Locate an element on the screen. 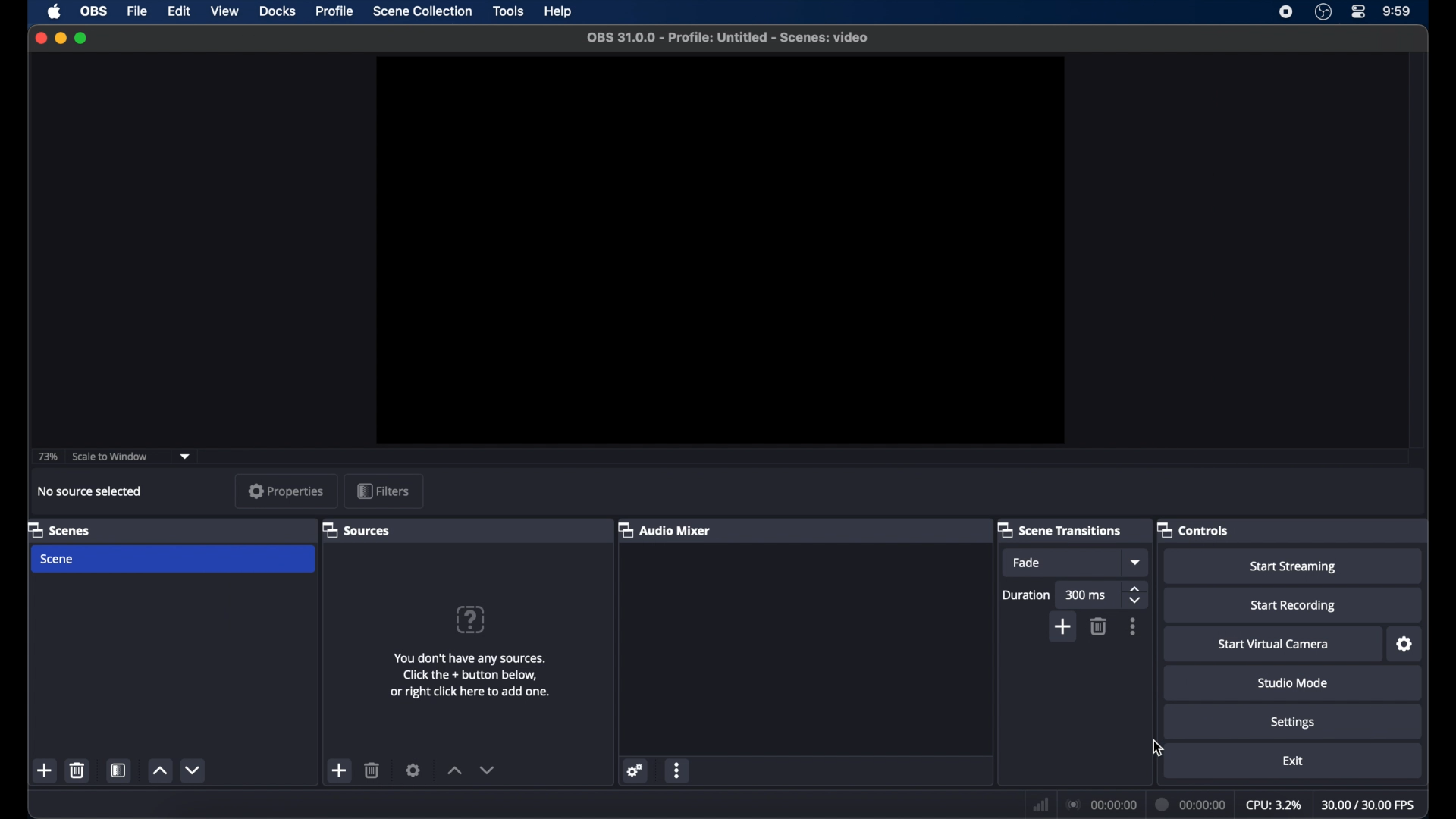  preview is located at coordinates (720, 250).